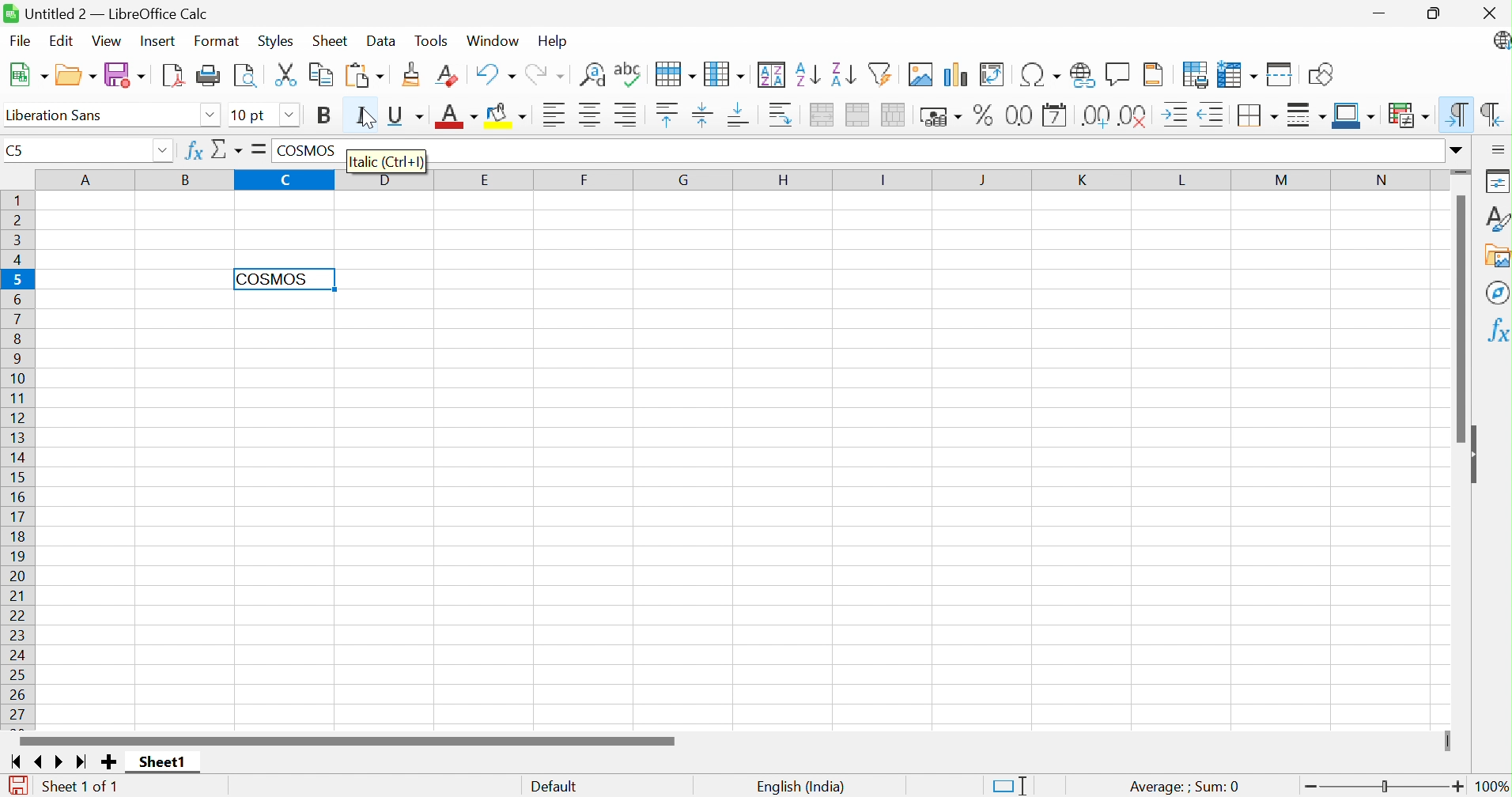  What do you see at coordinates (1386, 787) in the screenshot?
I see `Slider` at bounding box center [1386, 787].